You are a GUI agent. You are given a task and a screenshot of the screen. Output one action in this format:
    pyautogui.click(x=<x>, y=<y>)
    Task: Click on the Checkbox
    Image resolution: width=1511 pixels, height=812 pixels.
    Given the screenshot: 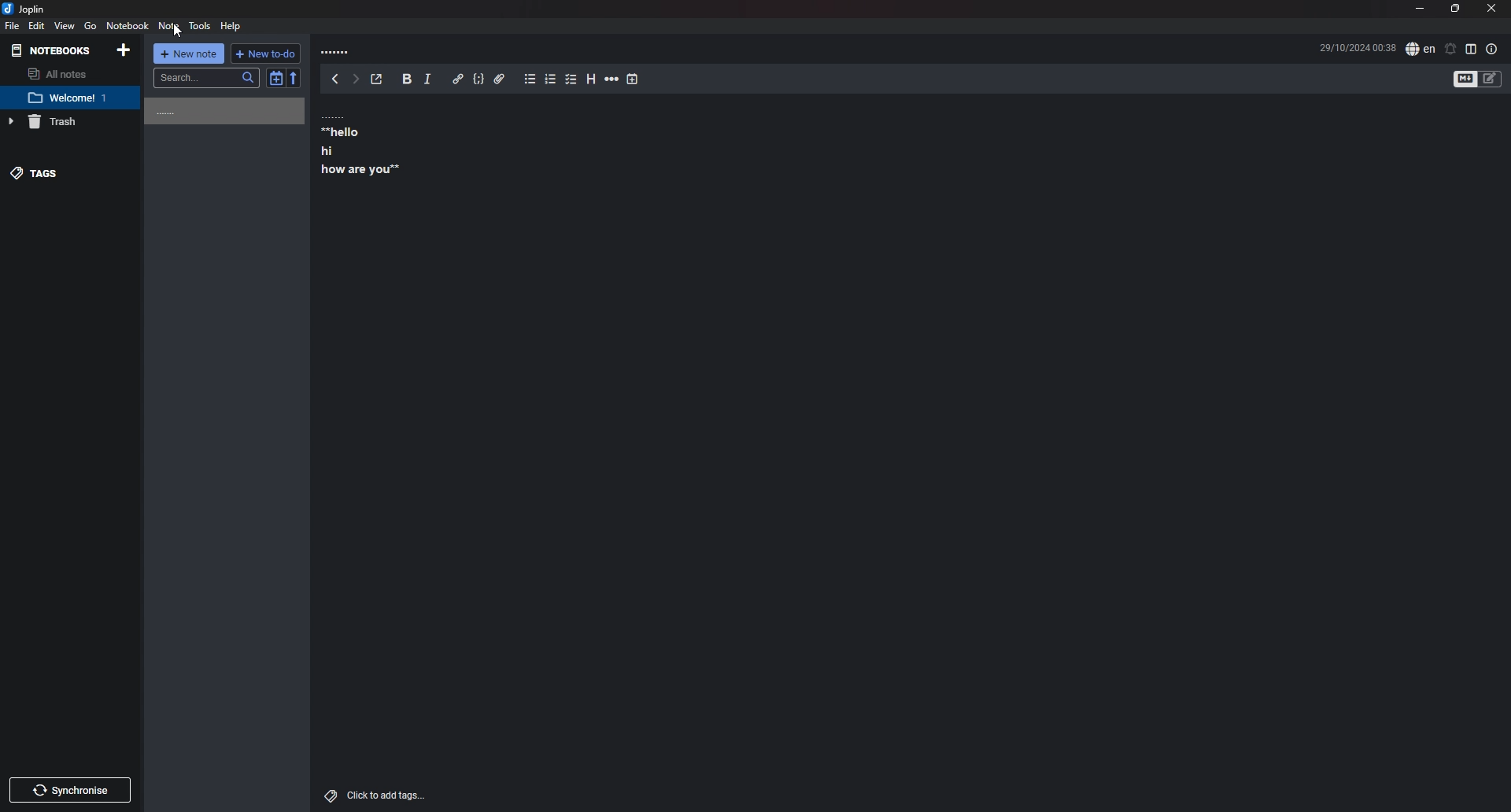 What is the action you would take?
    pyautogui.click(x=571, y=79)
    